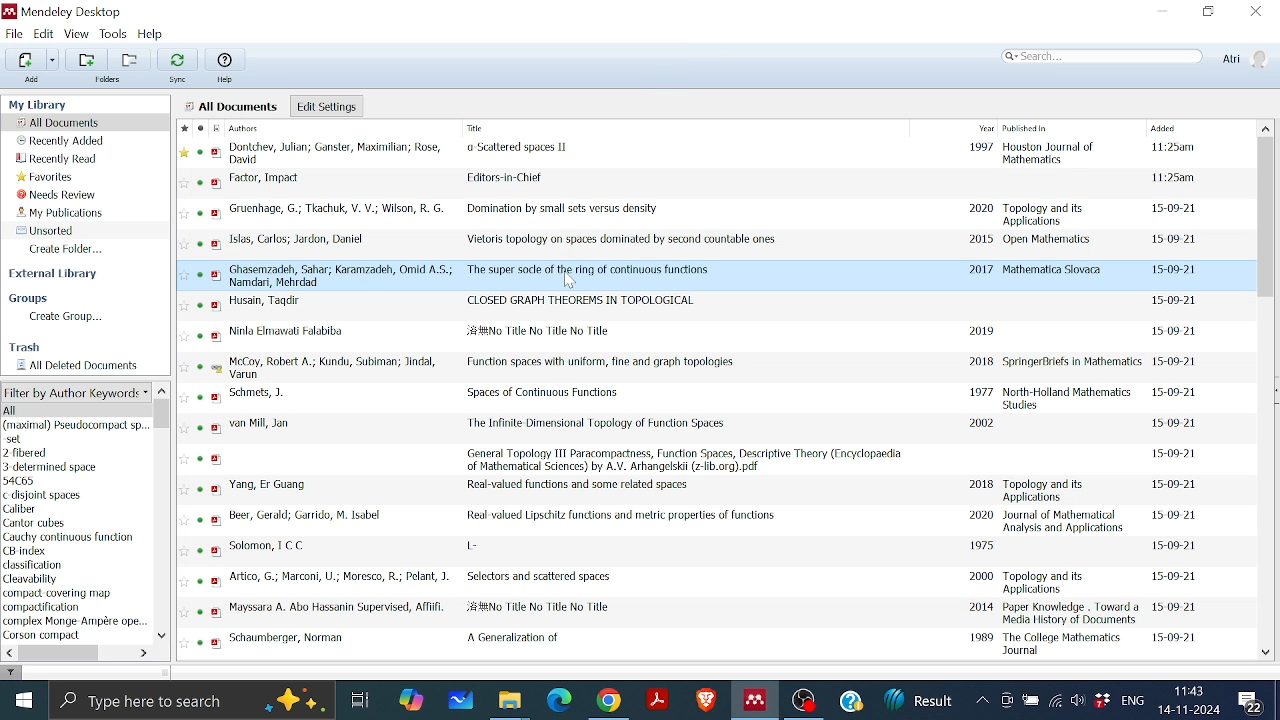 This screenshot has width=1280, height=720. I want to click on All documents, so click(60, 123).